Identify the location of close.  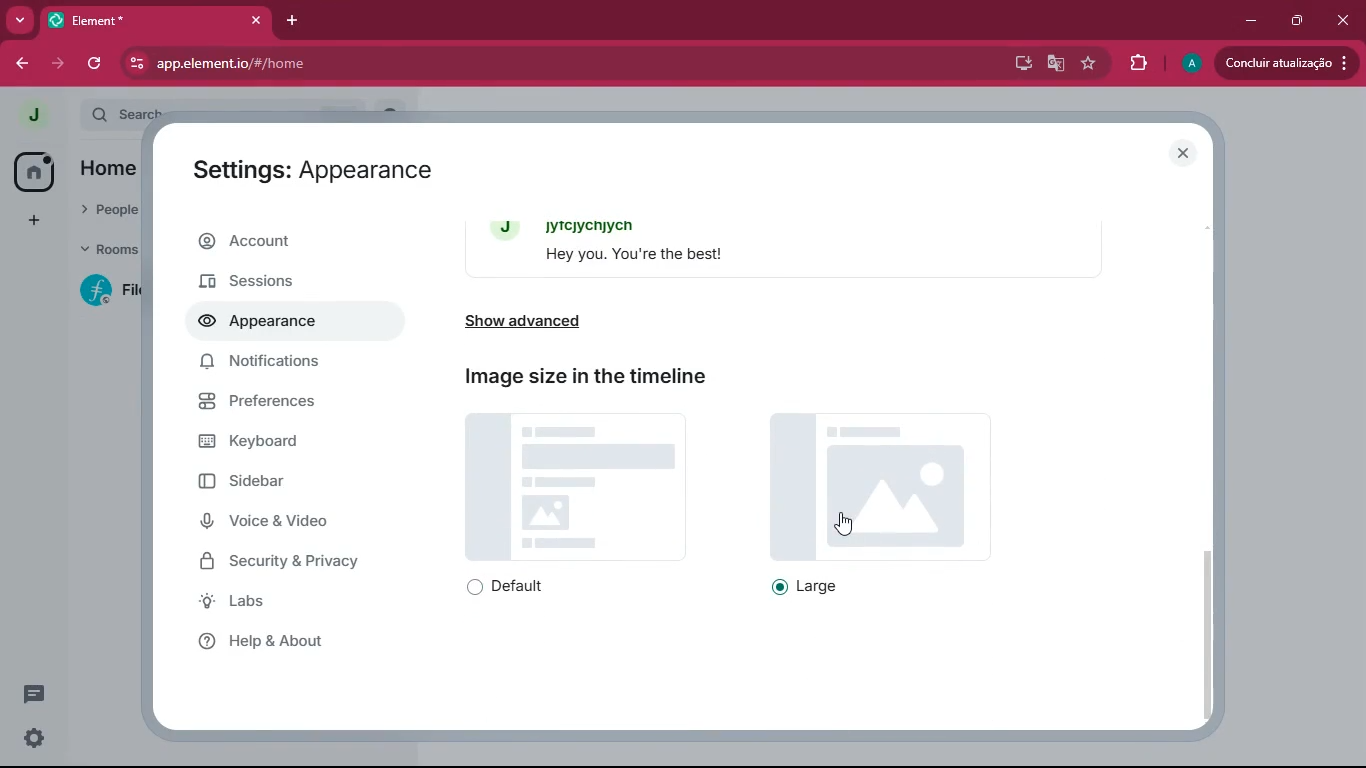
(256, 20).